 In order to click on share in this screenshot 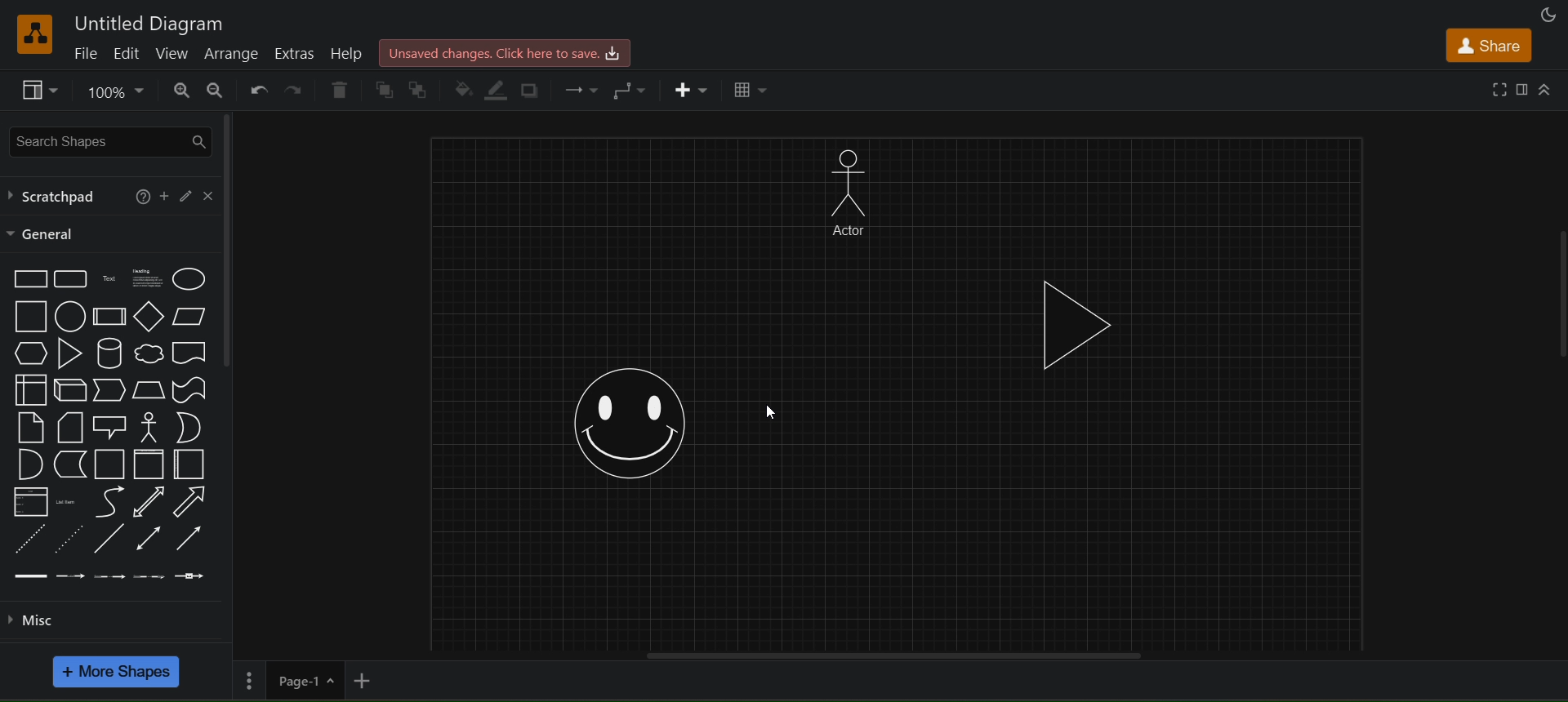, I will do `click(1491, 45)`.